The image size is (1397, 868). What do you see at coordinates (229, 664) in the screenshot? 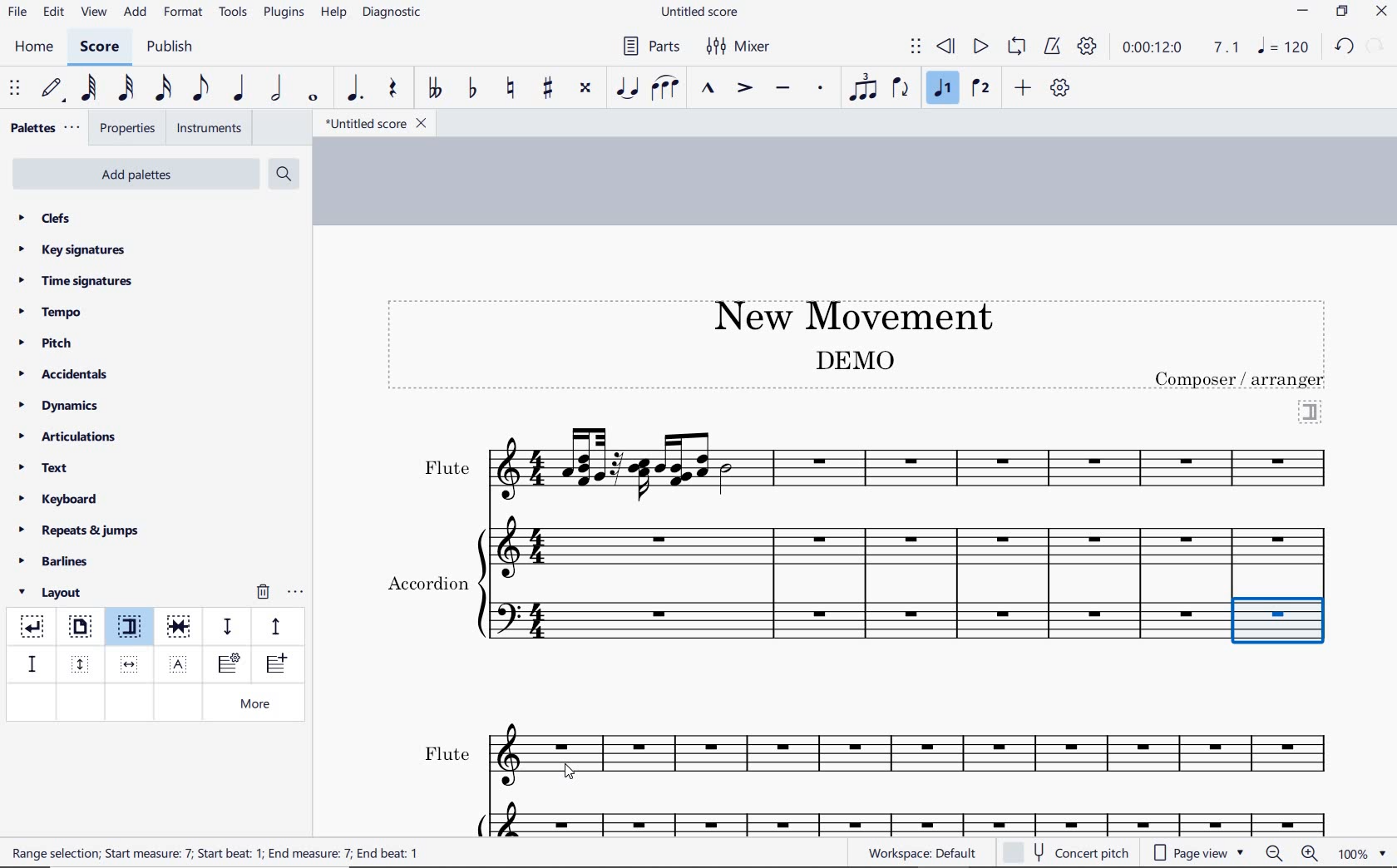
I see `insert staff type change` at bounding box center [229, 664].